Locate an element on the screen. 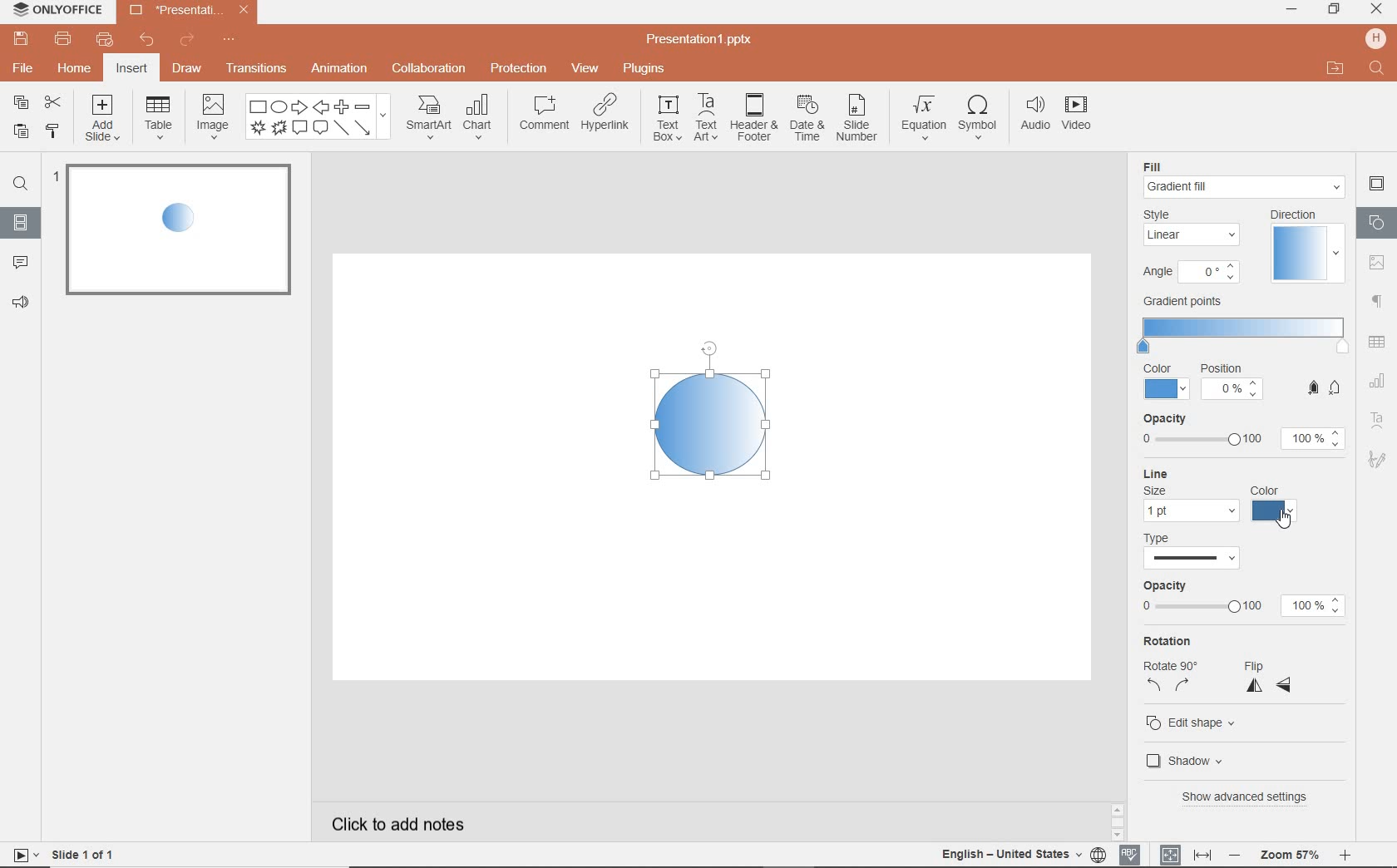  plugins is located at coordinates (645, 70).